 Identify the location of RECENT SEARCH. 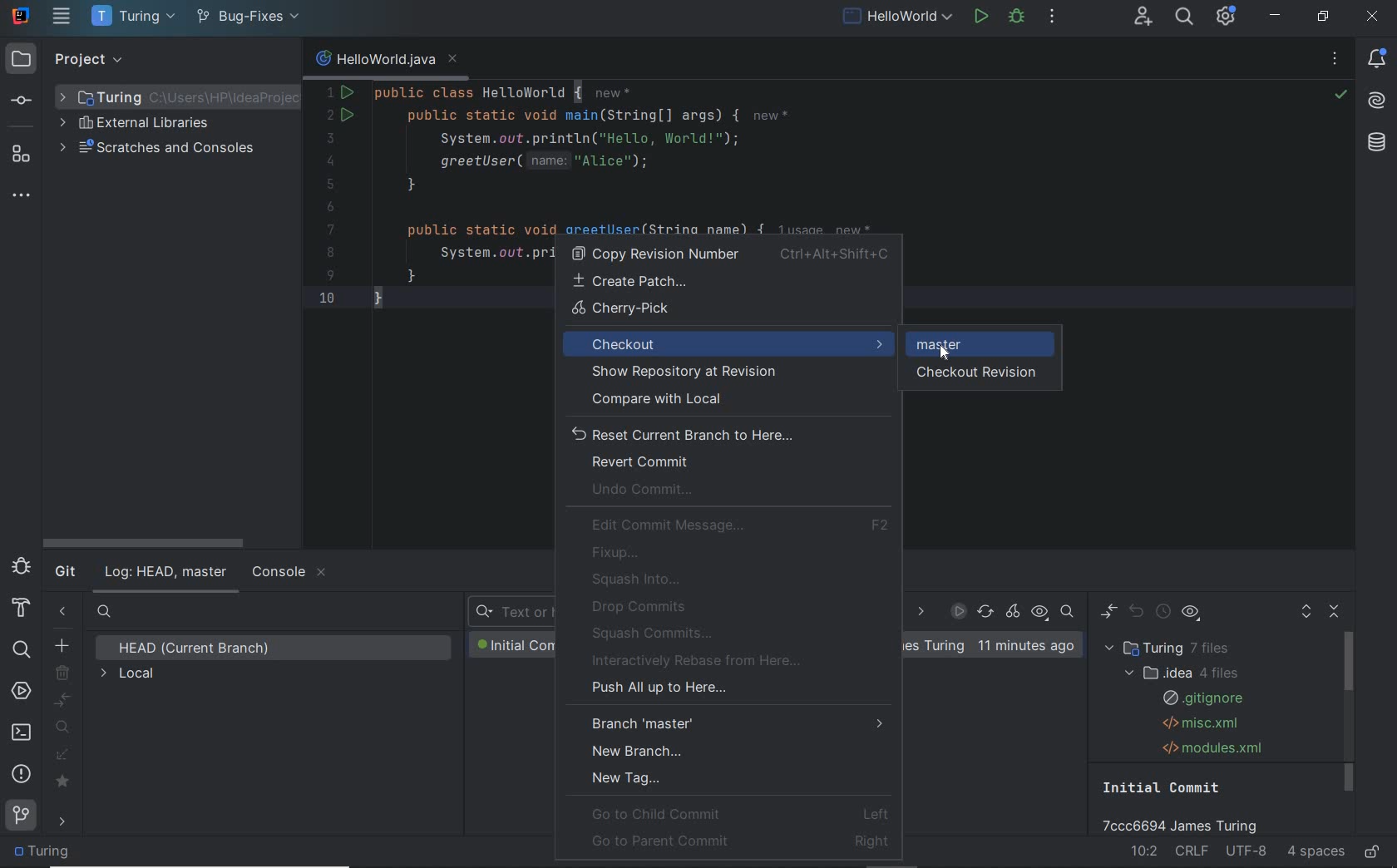
(510, 613).